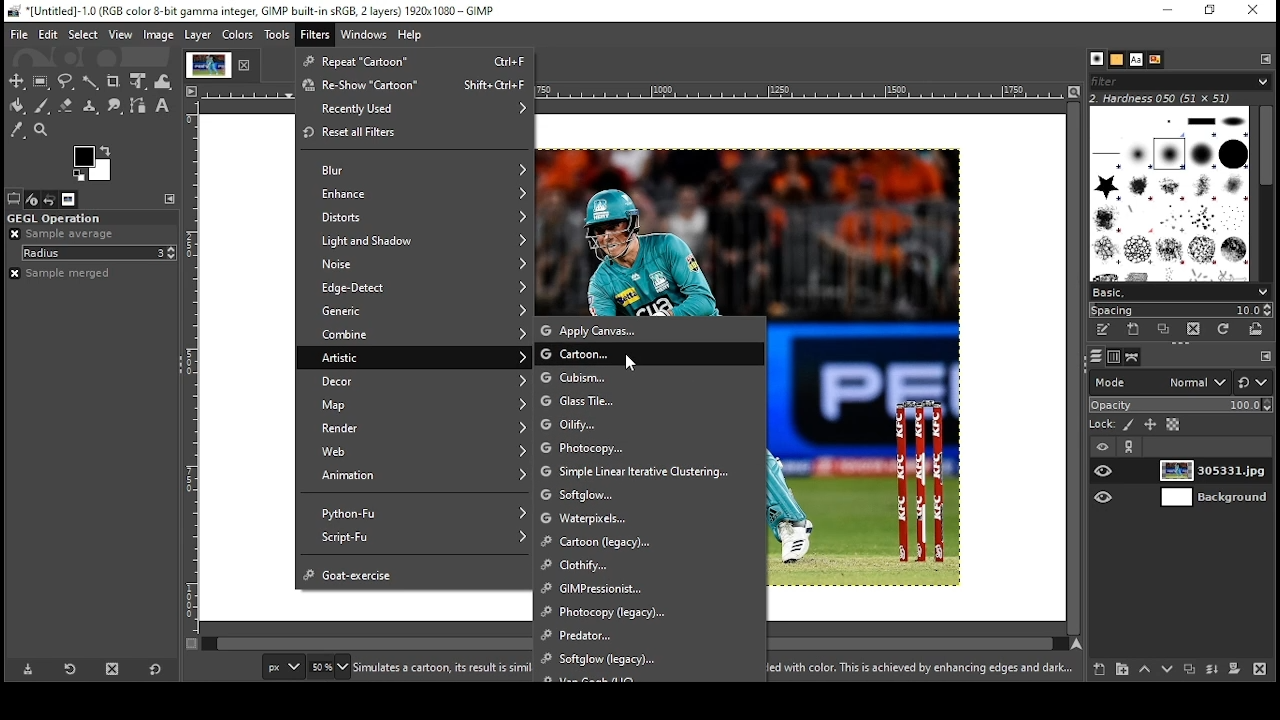 This screenshot has height=720, width=1280. What do you see at coordinates (50, 35) in the screenshot?
I see `edit` at bounding box center [50, 35].